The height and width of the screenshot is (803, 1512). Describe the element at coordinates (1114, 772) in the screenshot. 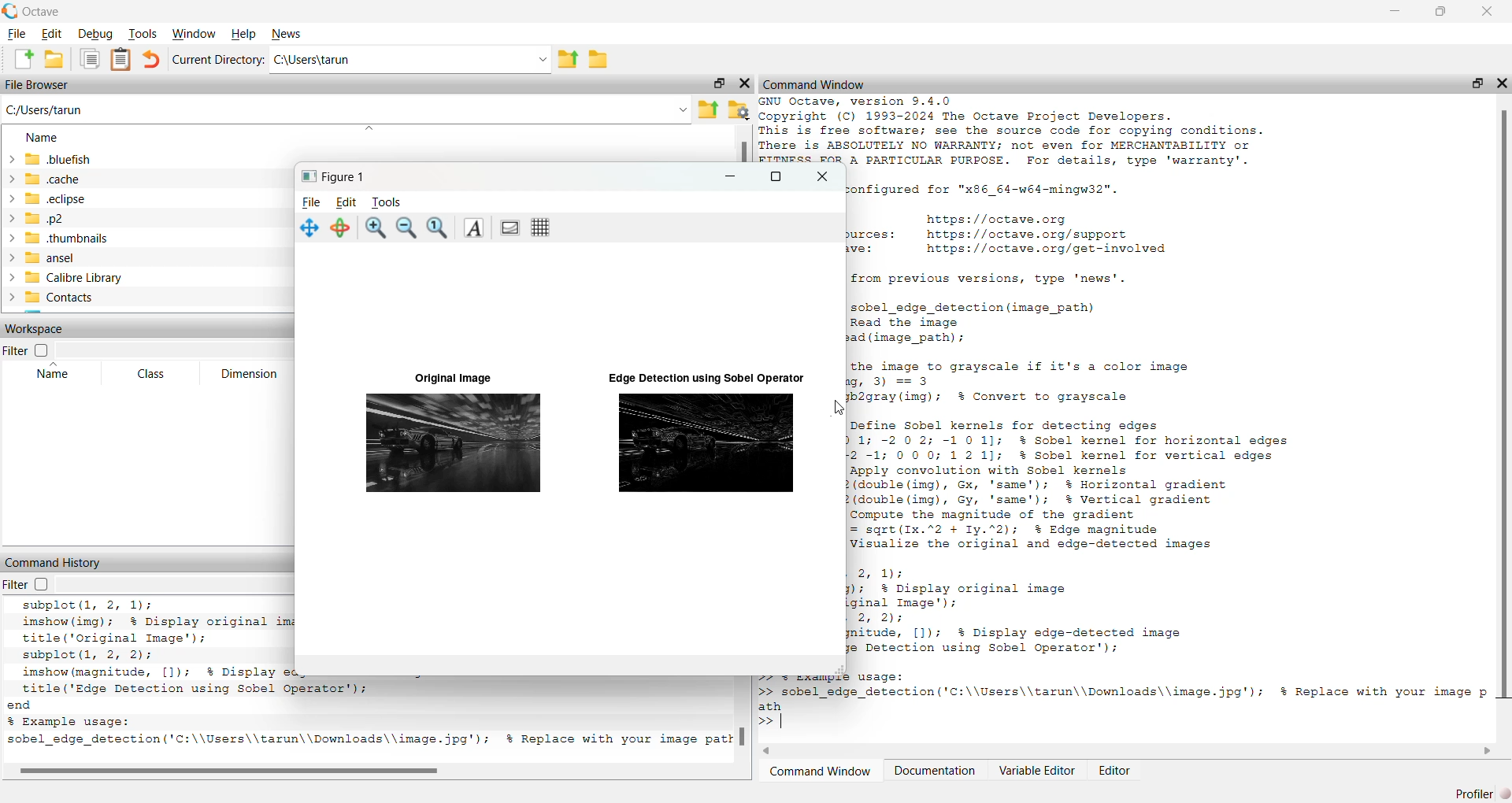

I see `editor` at that location.